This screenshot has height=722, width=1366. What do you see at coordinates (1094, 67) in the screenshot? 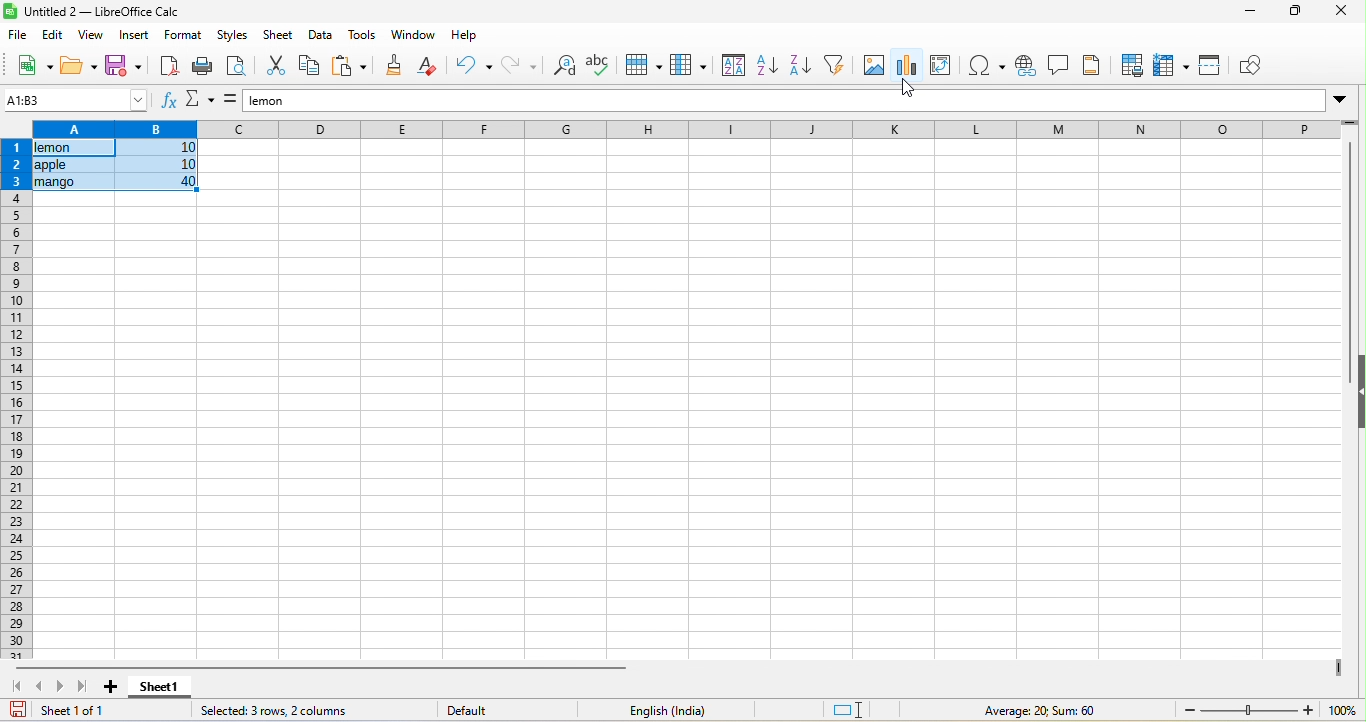
I see `header and footers` at bounding box center [1094, 67].